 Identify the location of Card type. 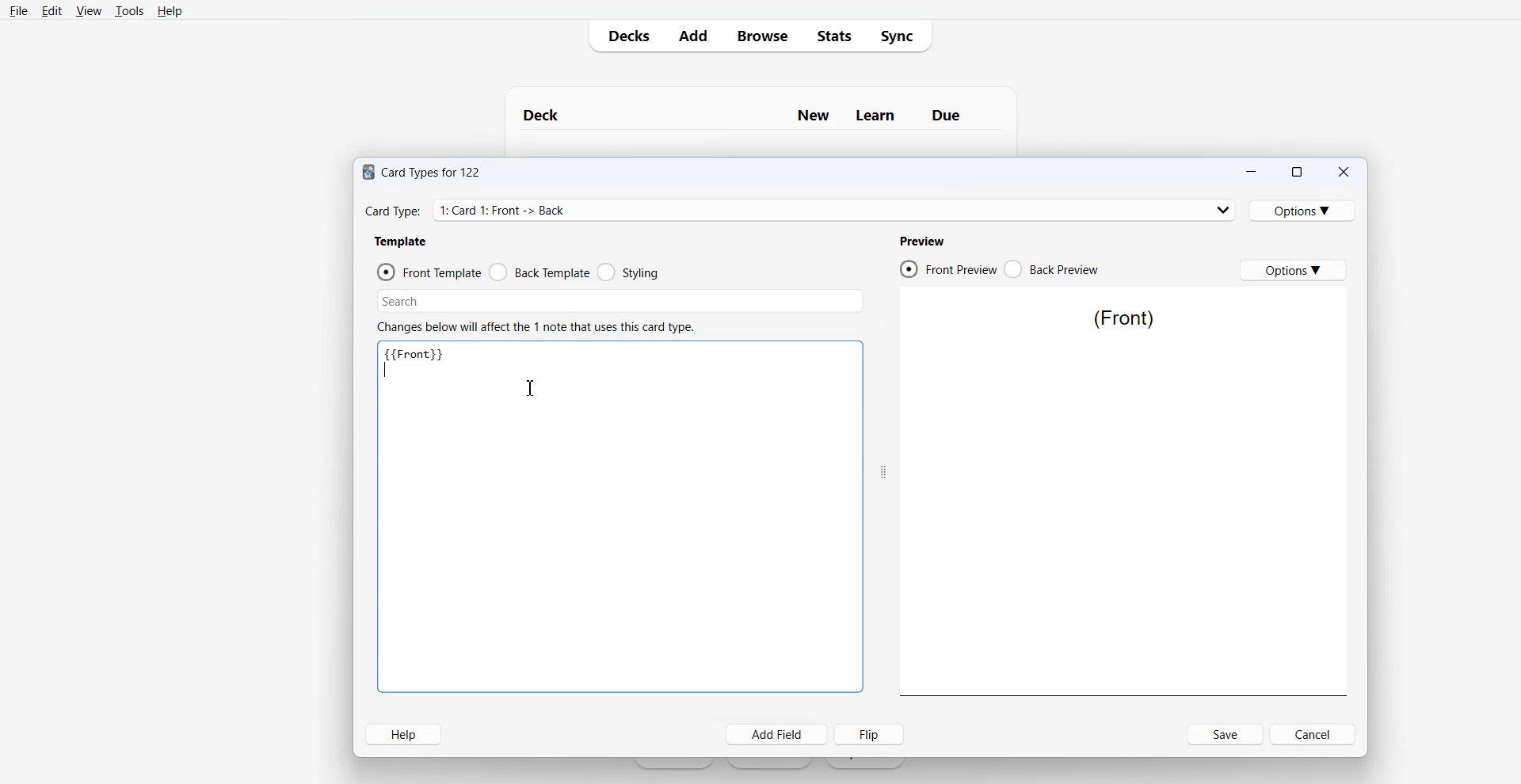
(799, 209).